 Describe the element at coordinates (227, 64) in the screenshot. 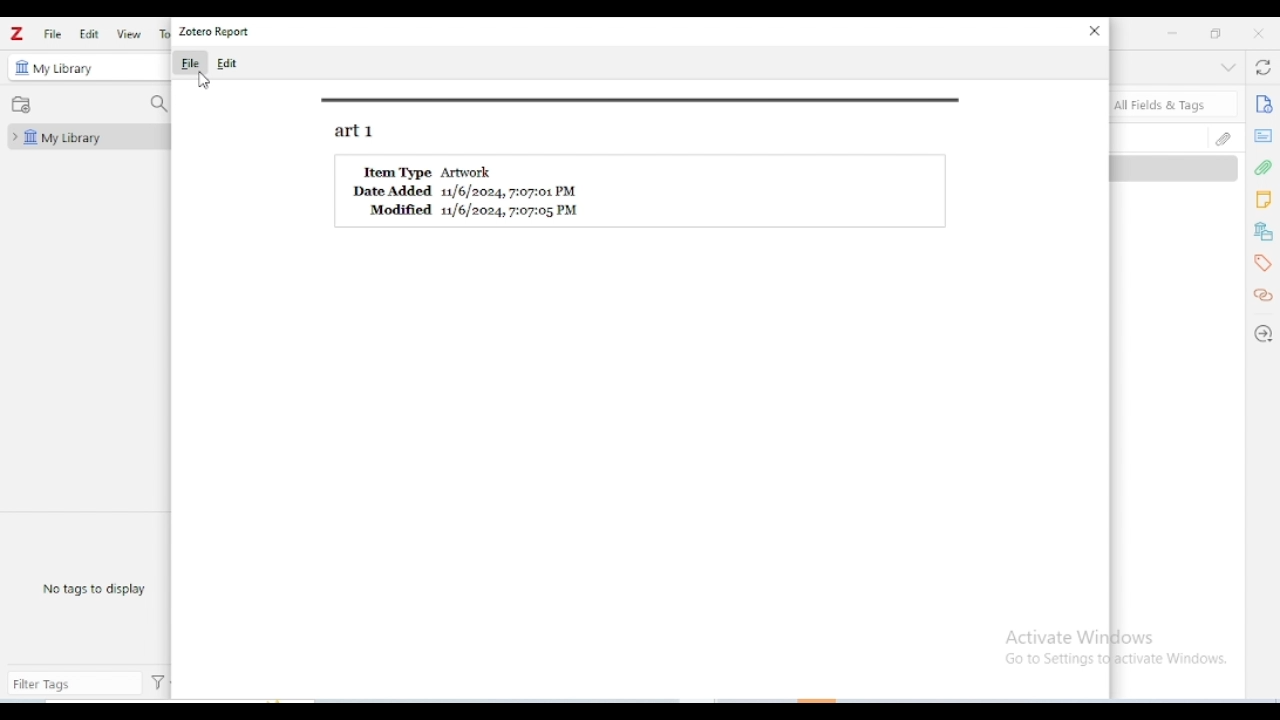

I see `edit` at that location.